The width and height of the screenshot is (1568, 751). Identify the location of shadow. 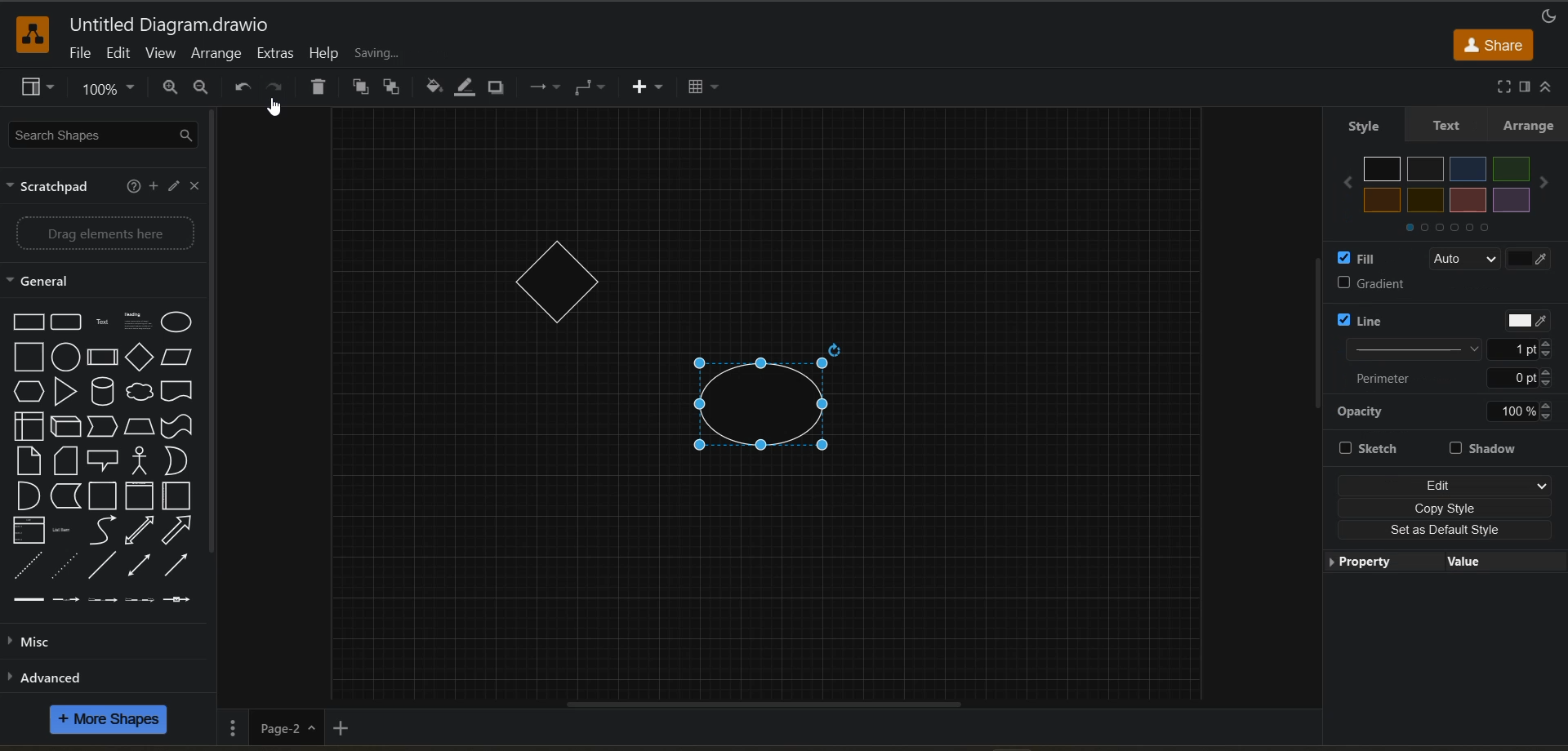
(1490, 450).